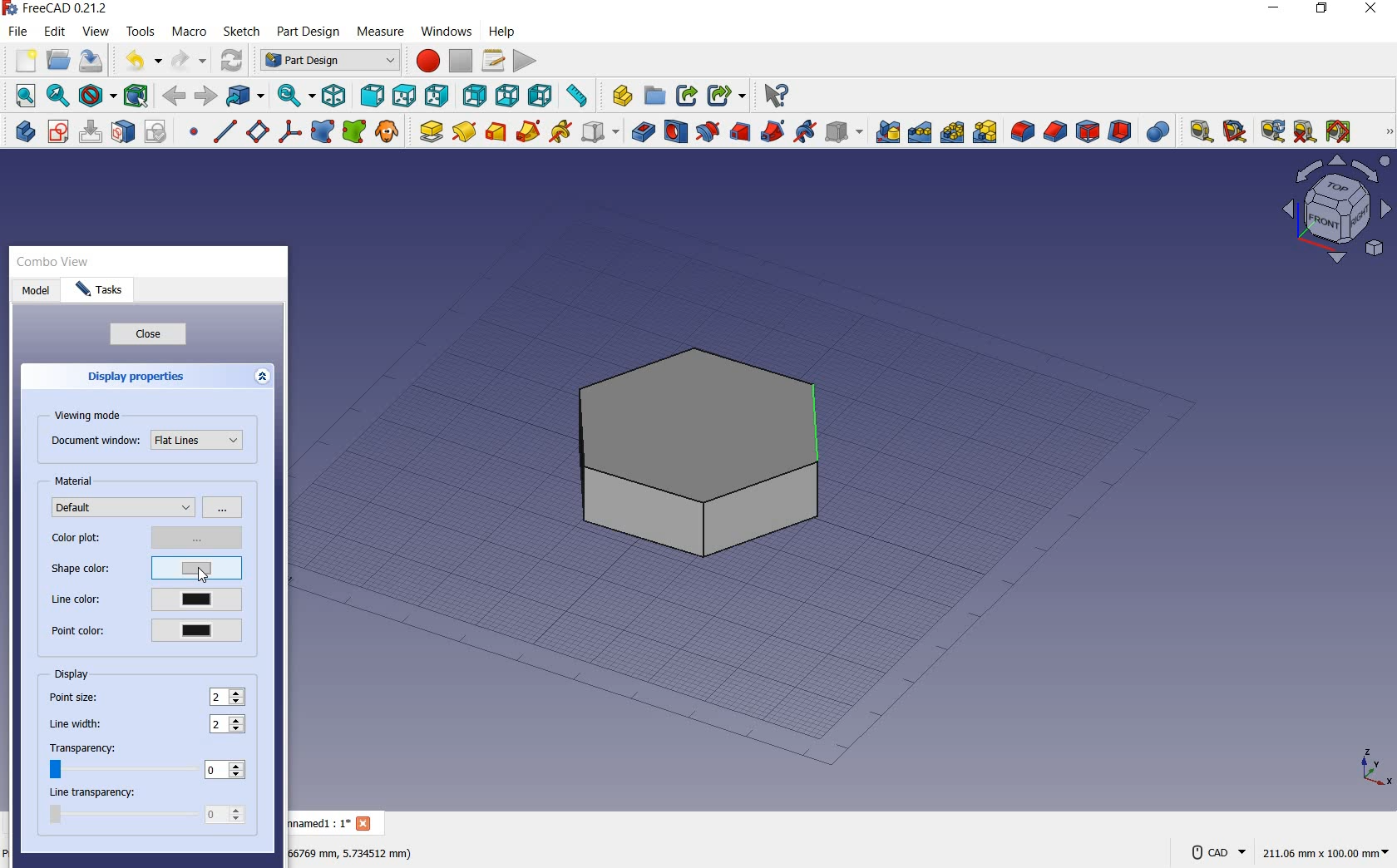 The height and width of the screenshot is (868, 1397). Describe the element at coordinates (80, 416) in the screenshot. I see `viewing mode` at that location.